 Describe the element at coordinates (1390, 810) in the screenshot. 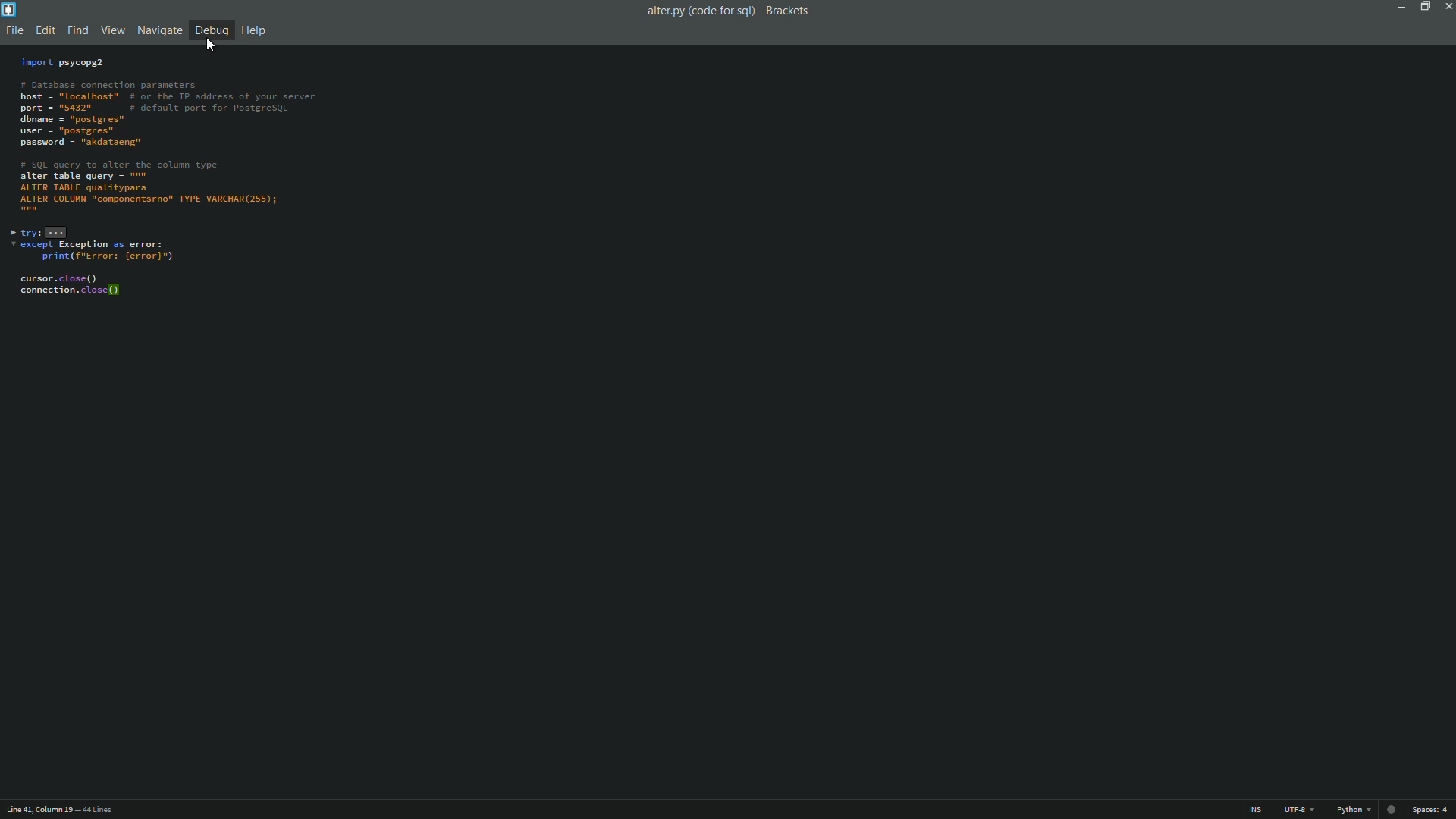

I see `error status` at that location.